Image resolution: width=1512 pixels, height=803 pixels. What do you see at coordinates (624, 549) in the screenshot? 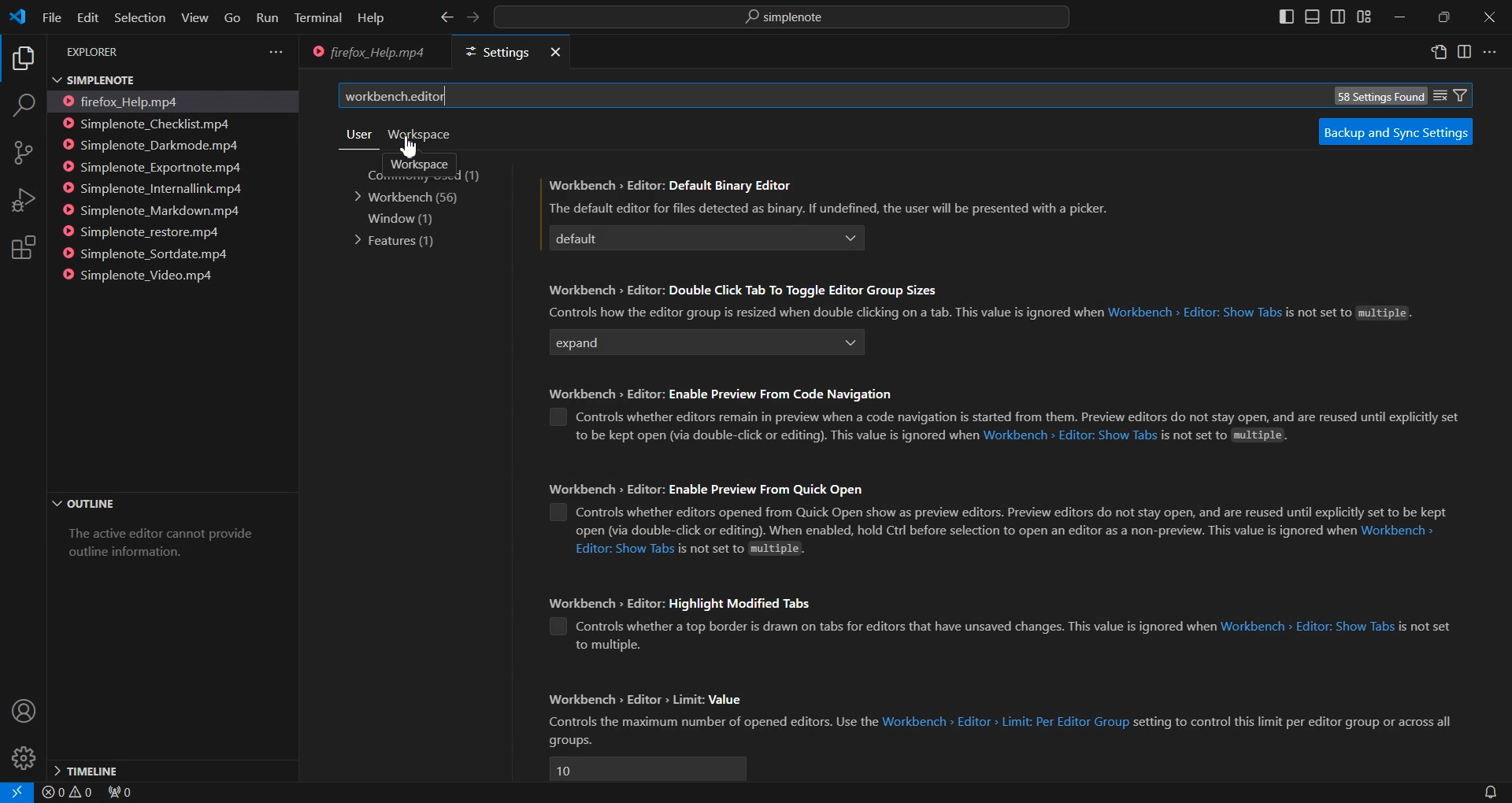
I see `Hyperlink file address` at bounding box center [624, 549].